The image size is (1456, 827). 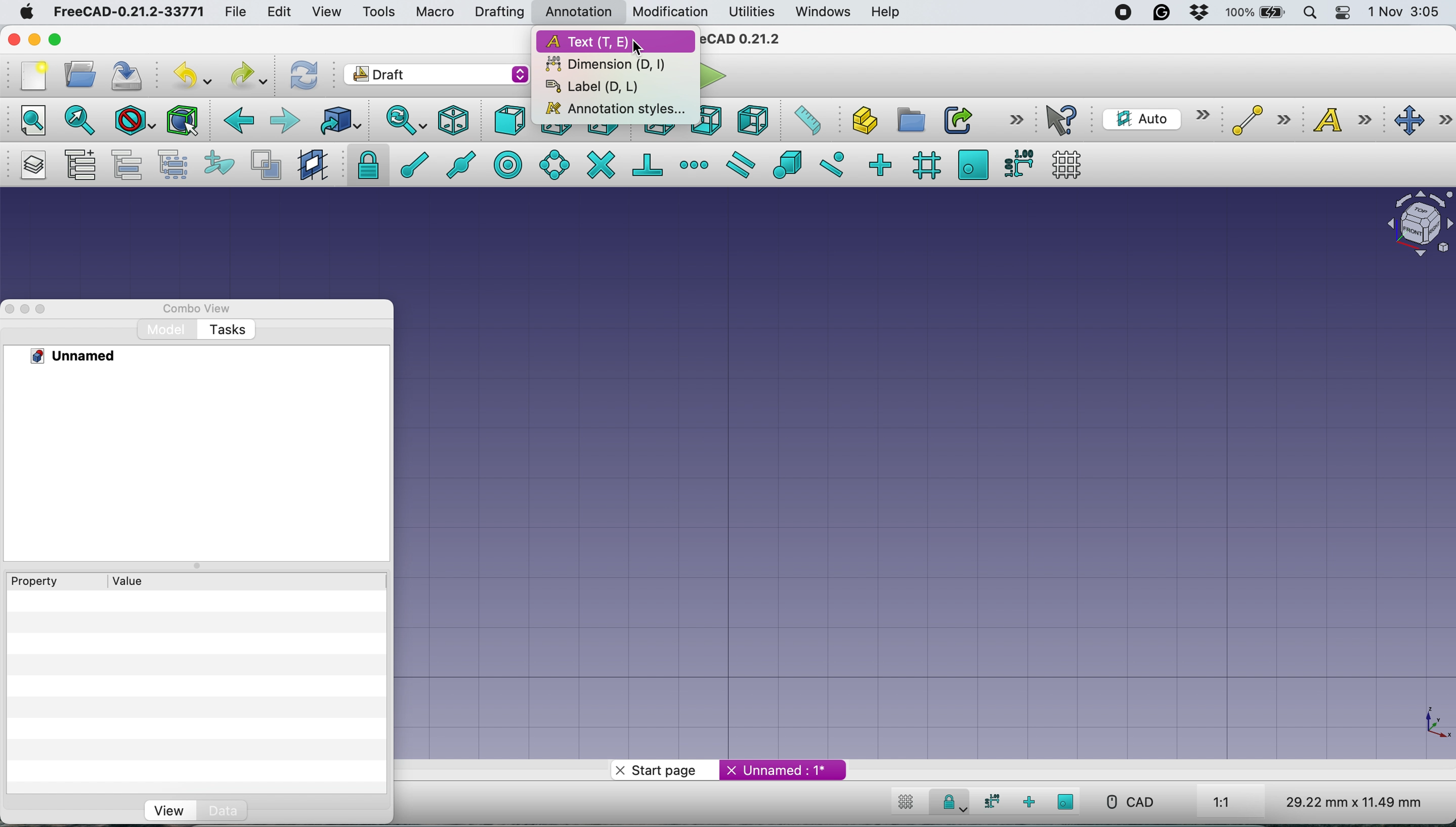 I want to click on manage layers, so click(x=30, y=166).